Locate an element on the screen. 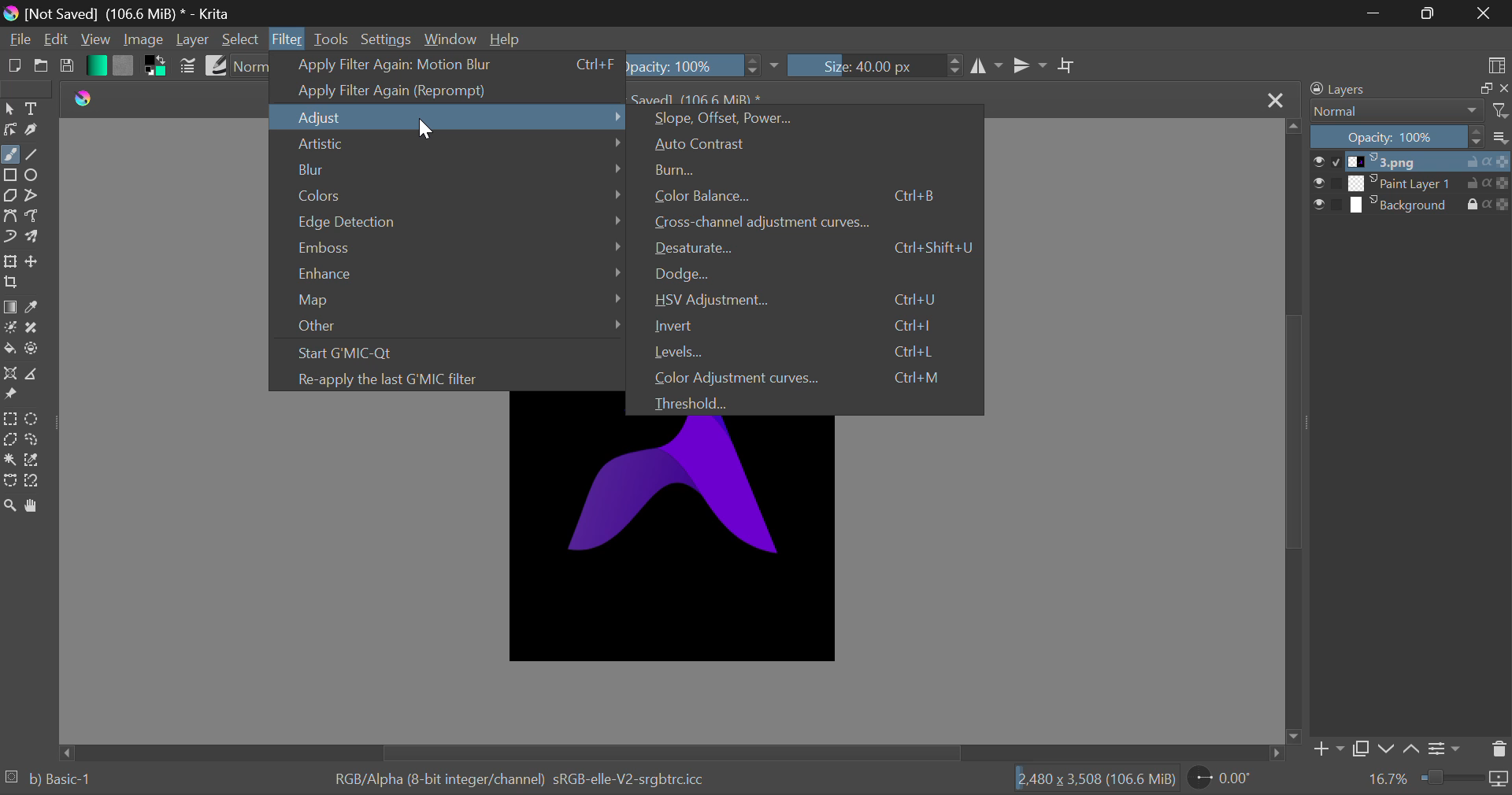 This screenshot has width=1512, height=795. Ellipses is located at coordinates (35, 176).